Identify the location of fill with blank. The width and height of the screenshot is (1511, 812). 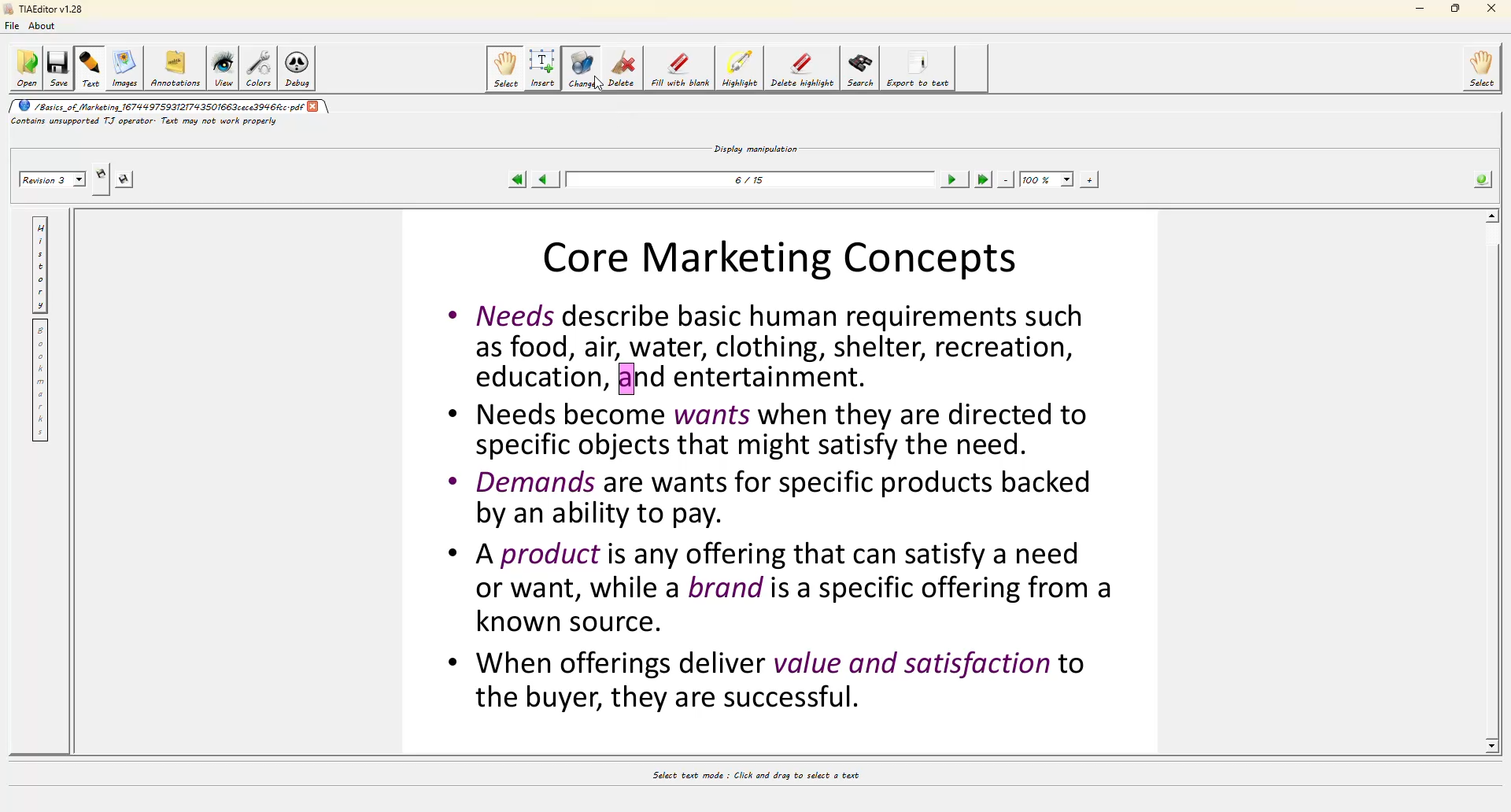
(678, 71).